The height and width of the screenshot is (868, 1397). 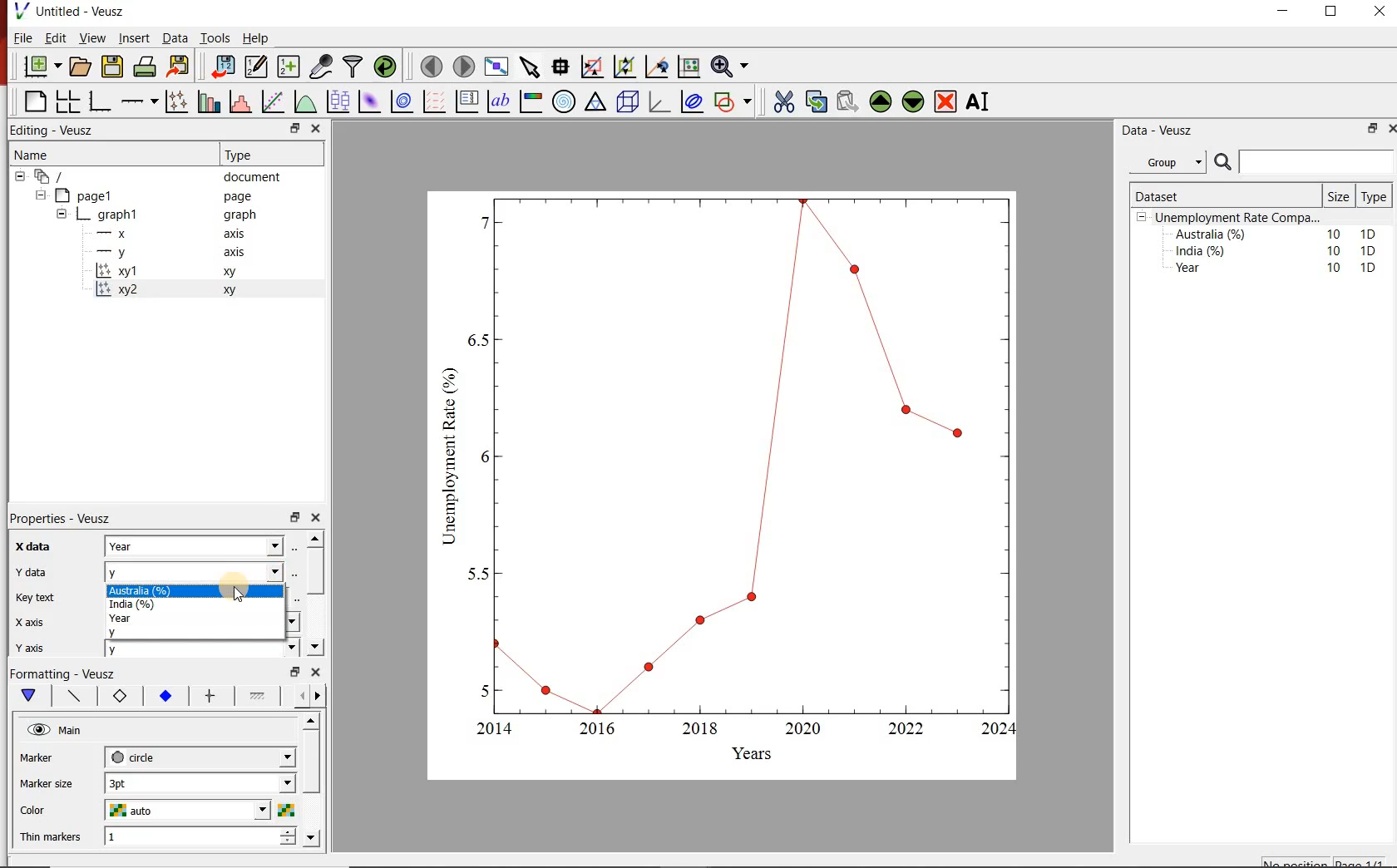 What do you see at coordinates (258, 694) in the screenshot?
I see `line 1` at bounding box center [258, 694].